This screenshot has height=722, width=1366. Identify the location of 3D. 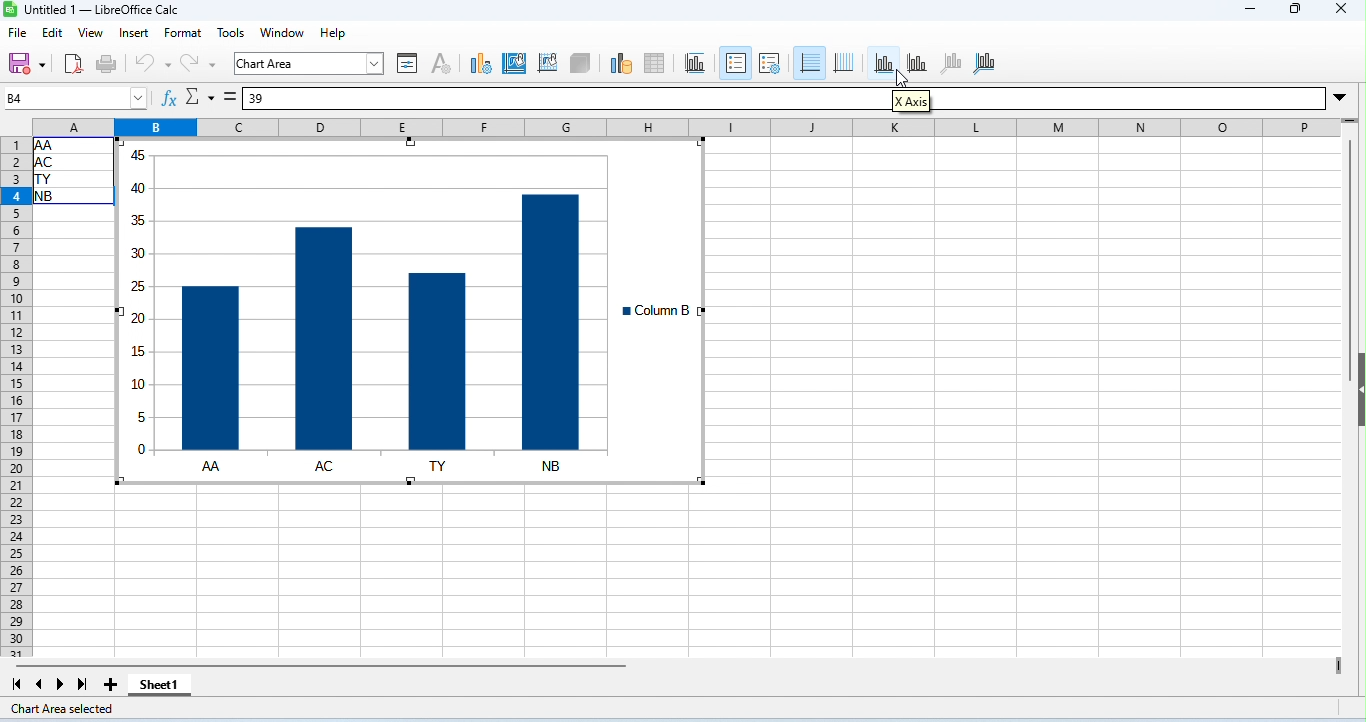
(582, 61).